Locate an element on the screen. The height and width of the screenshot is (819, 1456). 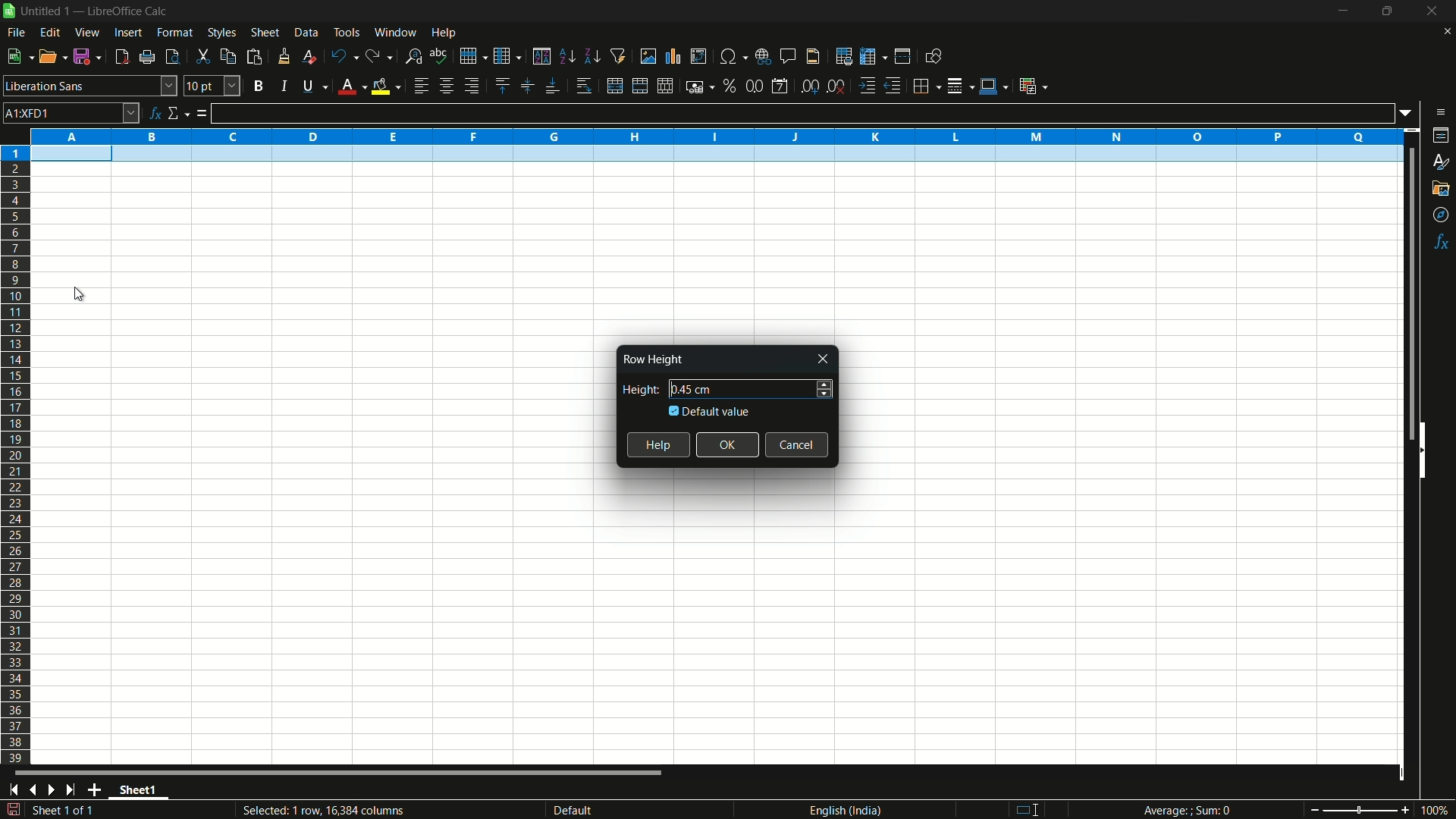
sort is located at coordinates (541, 56).